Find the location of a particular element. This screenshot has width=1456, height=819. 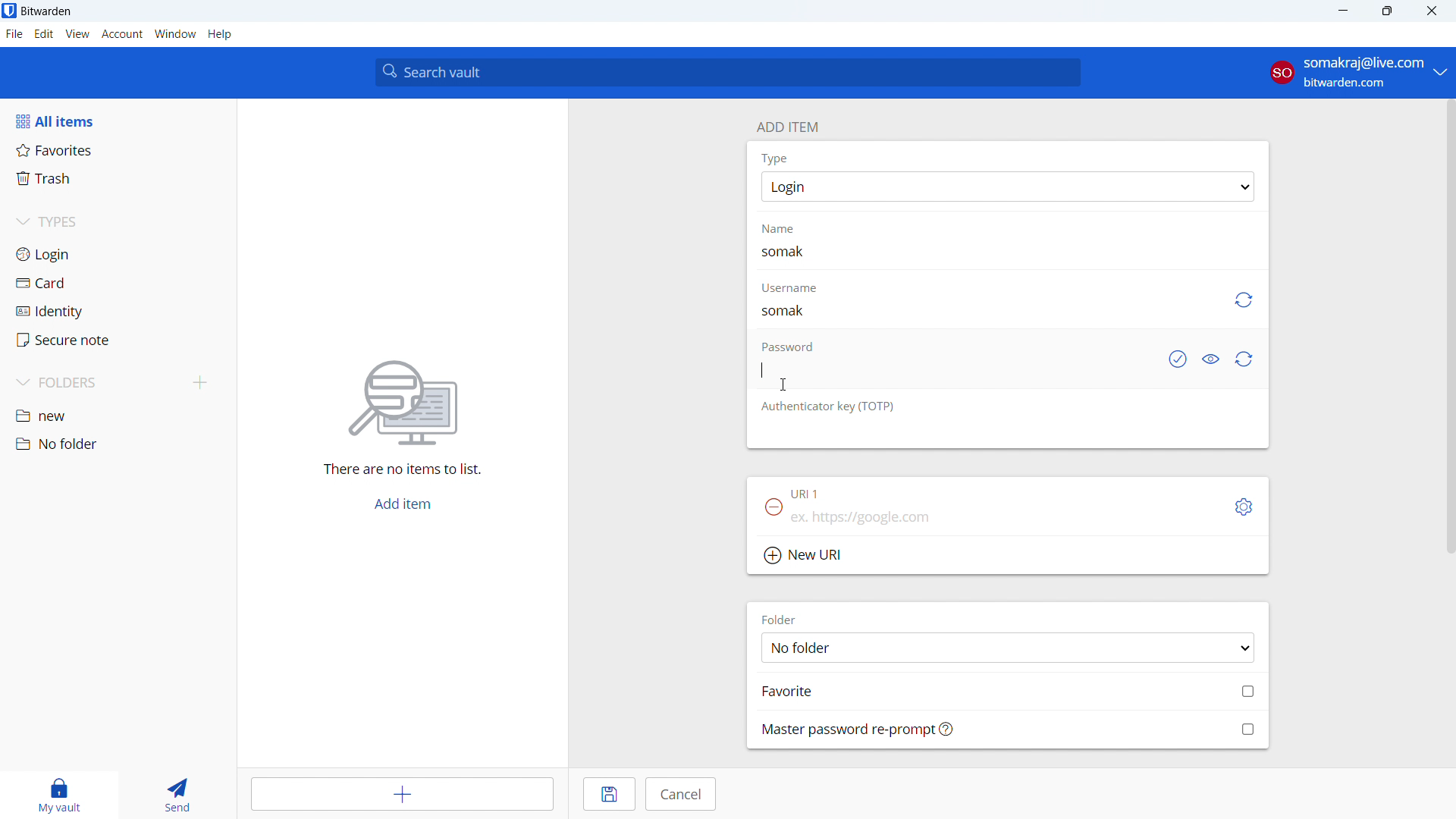

add item is located at coordinates (402, 505).